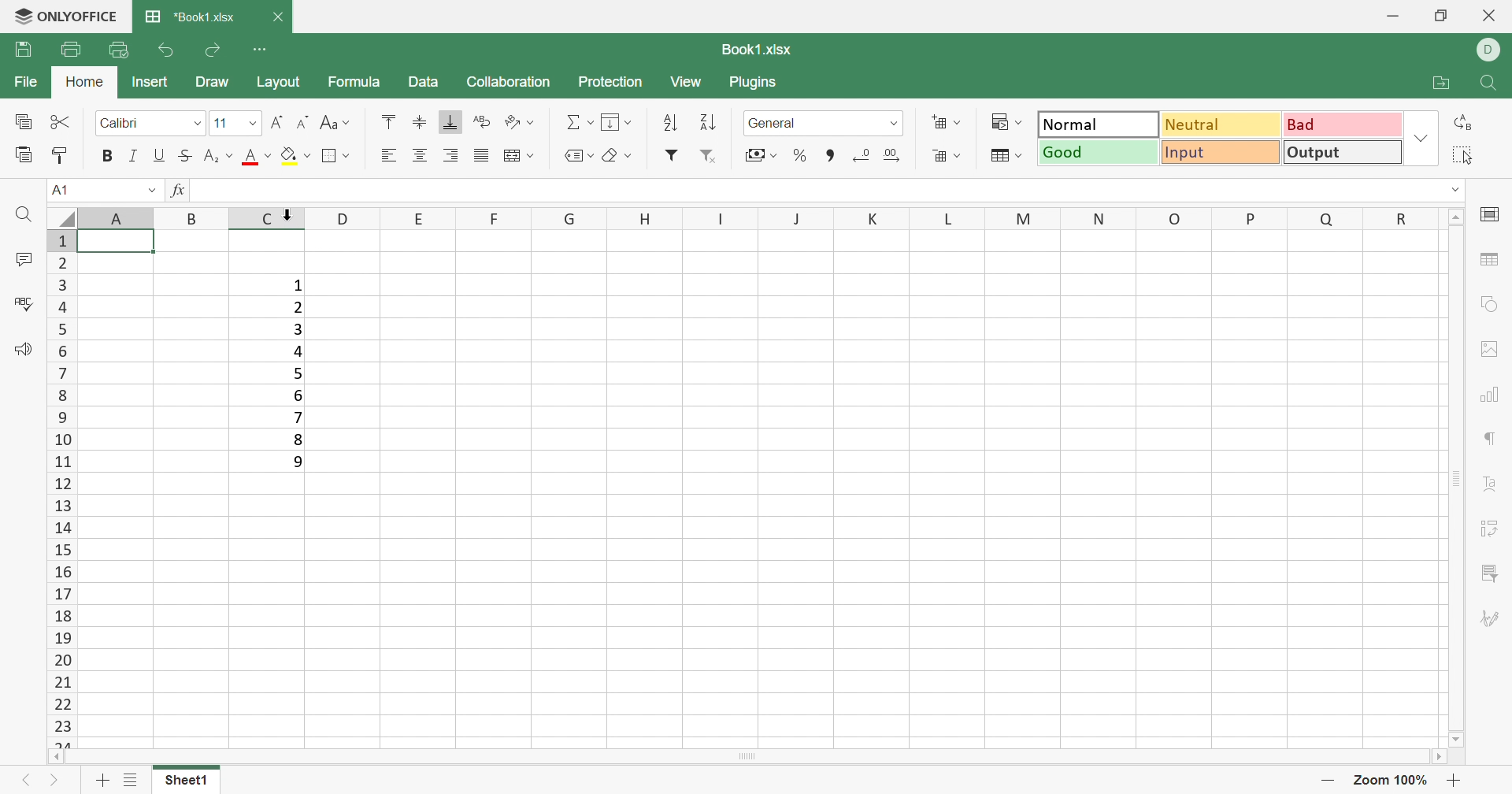 Image resolution: width=1512 pixels, height=794 pixels. Describe the element at coordinates (946, 124) in the screenshot. I see `Insert cells` at that location.